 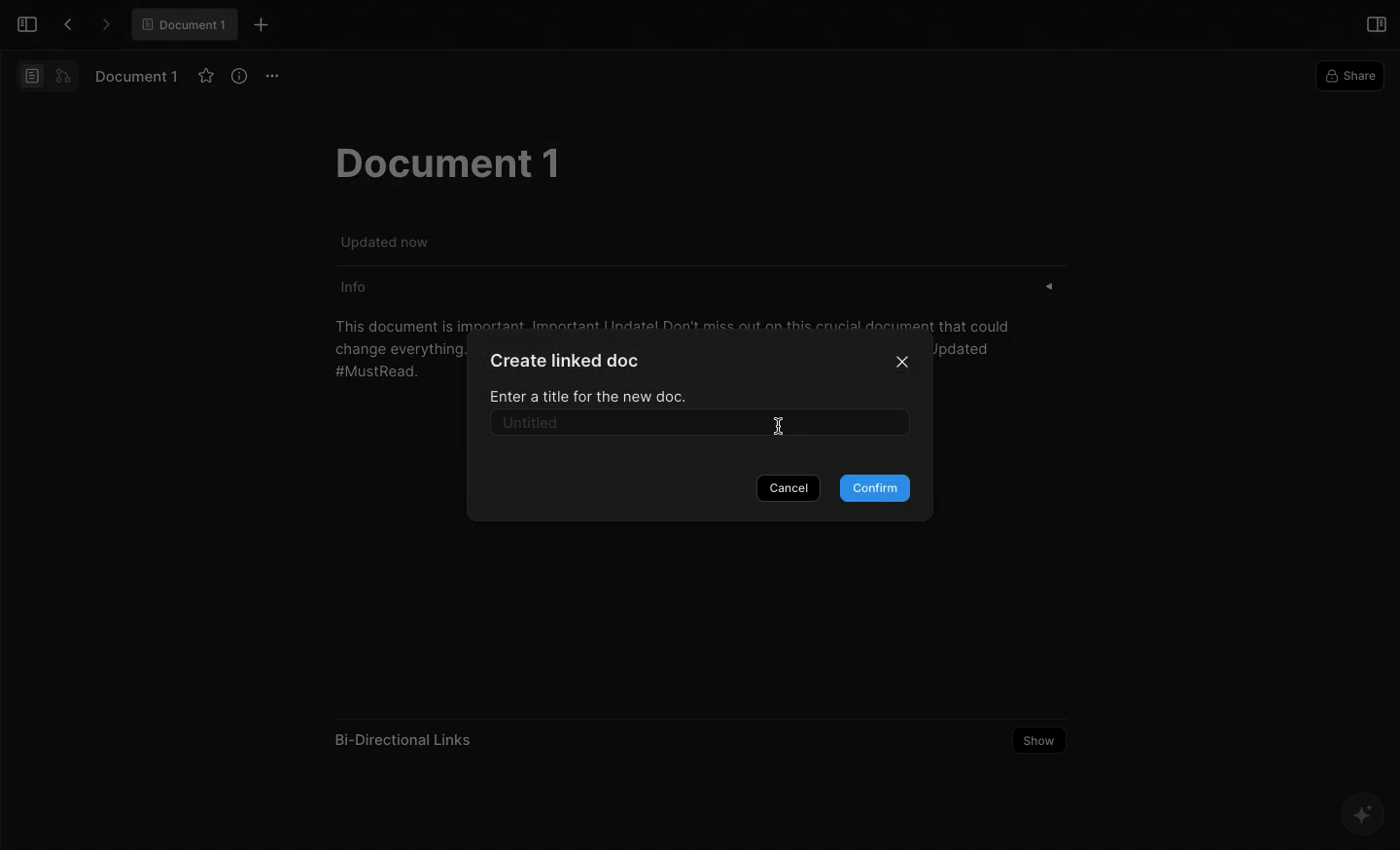 What do you see at coordinates (903, 363) in the screenshot?
I see `Close` at bounding box center [903, 363].